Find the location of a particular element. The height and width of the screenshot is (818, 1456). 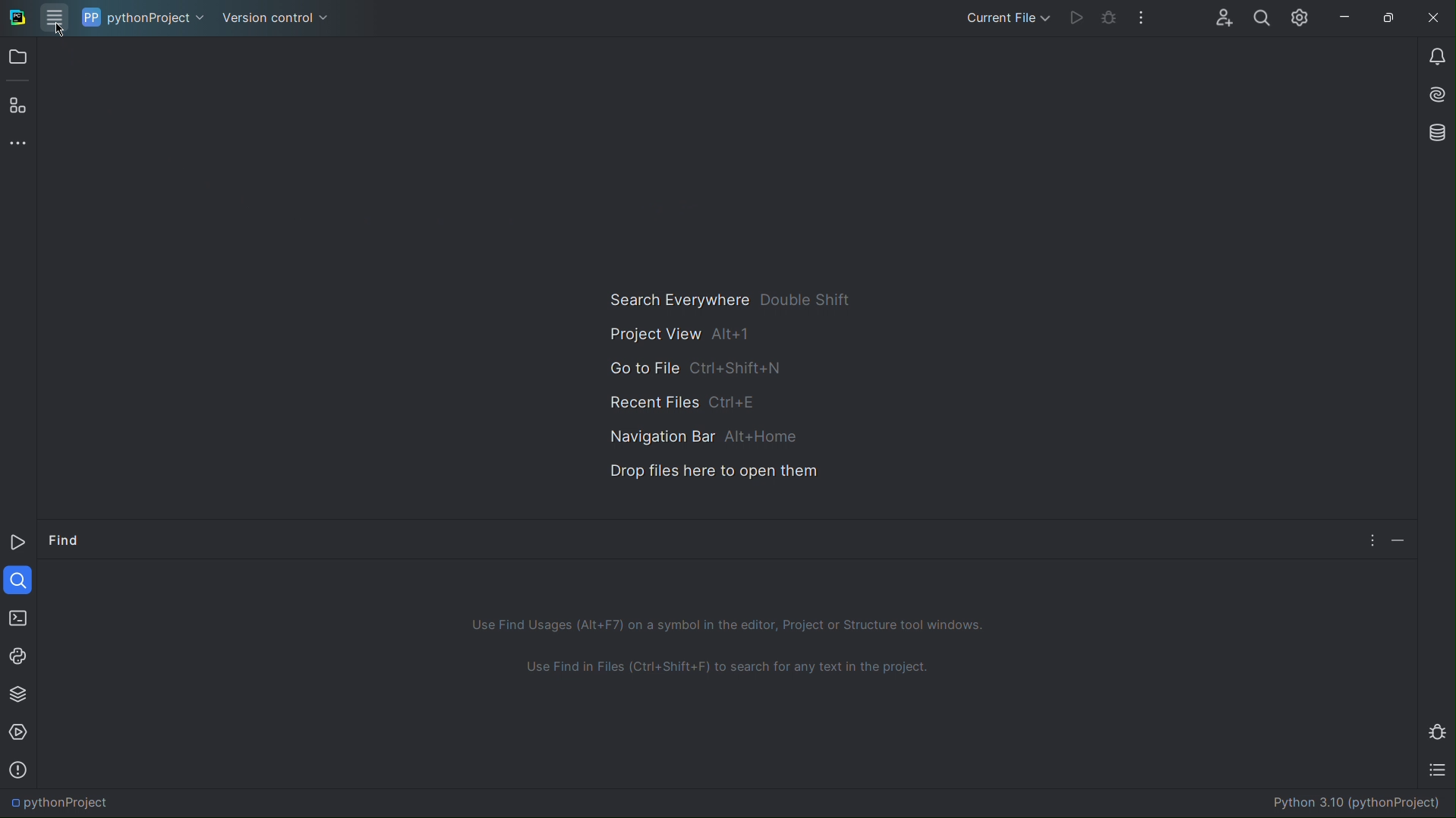

Find is located at coordinates (18, 578).